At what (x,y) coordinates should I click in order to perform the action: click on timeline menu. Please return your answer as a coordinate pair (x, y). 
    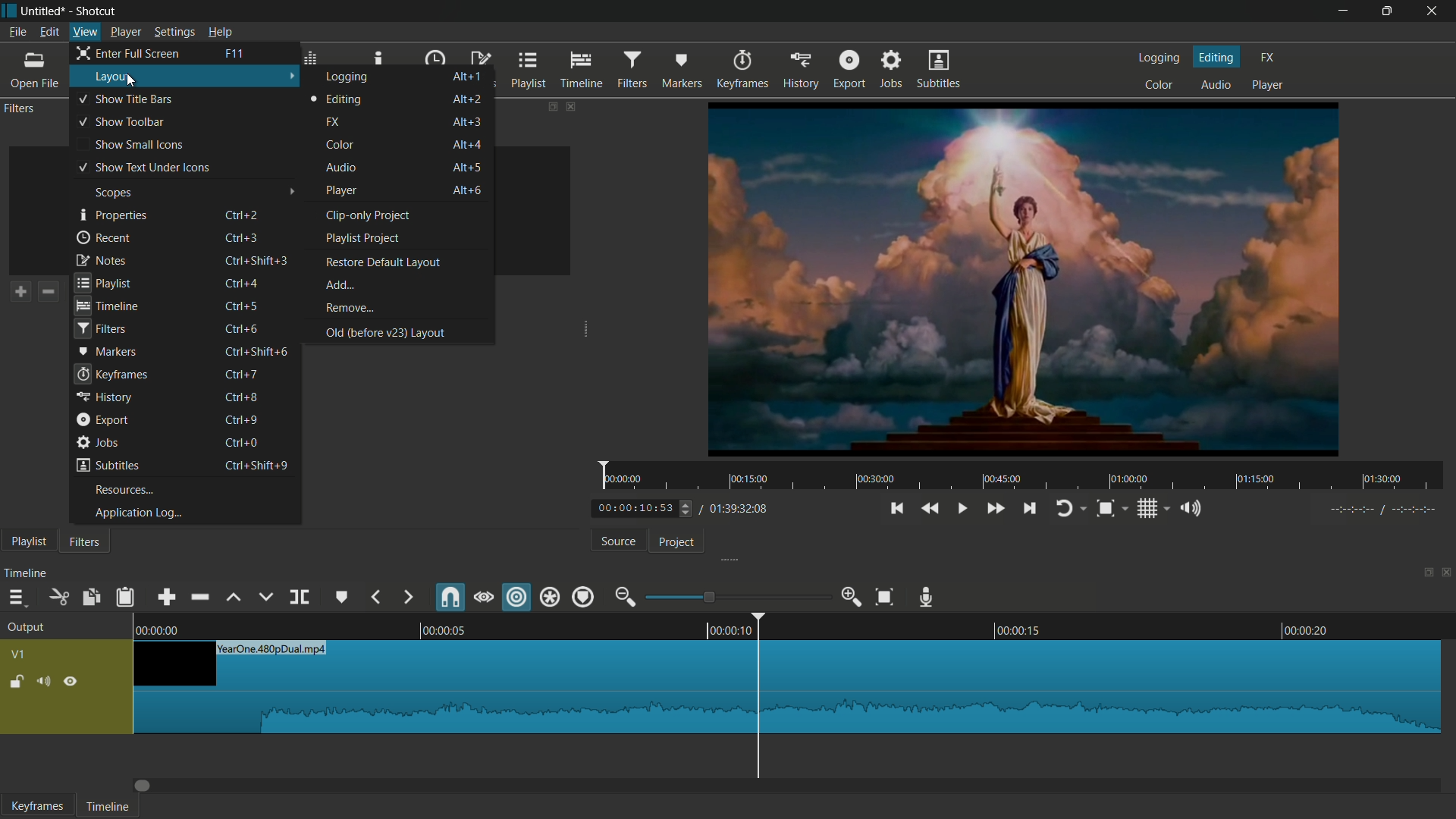
    Looking at the image, I should click on (15, 598).